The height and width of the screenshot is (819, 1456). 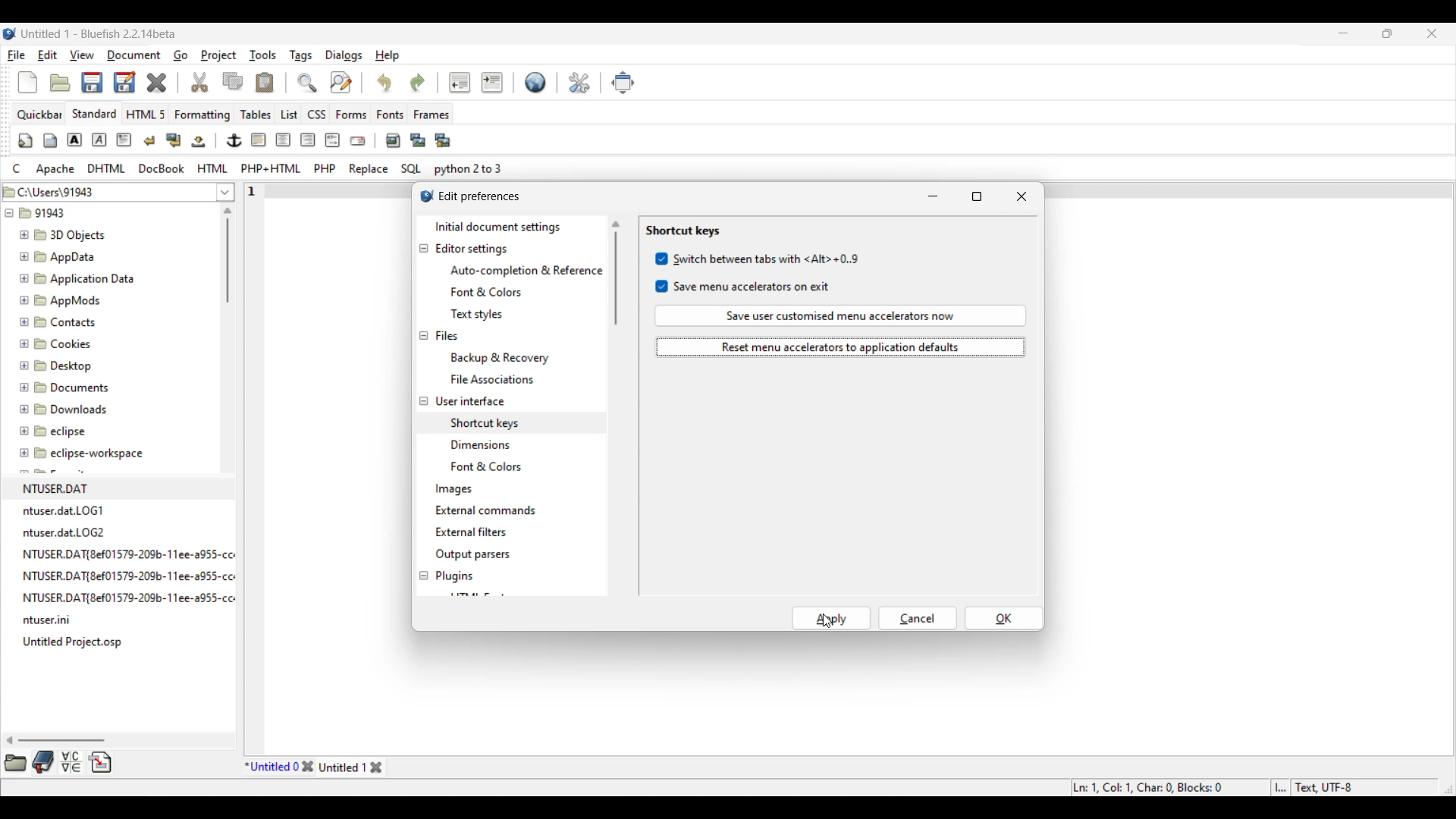 I want to click on HTML 5, so click(x=146, y=114).